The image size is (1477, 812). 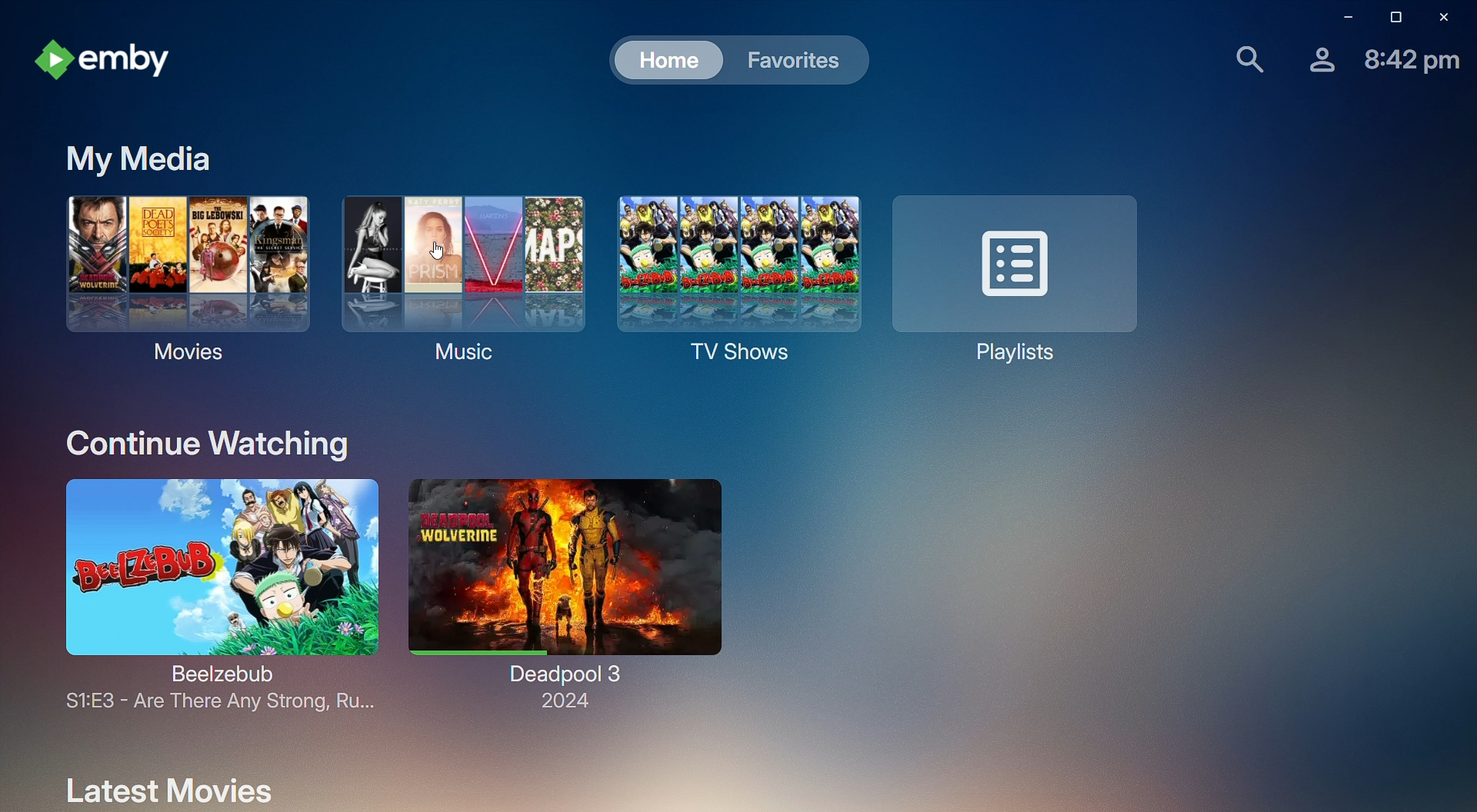 I want to click on Movies, so click(x=173, y=281).